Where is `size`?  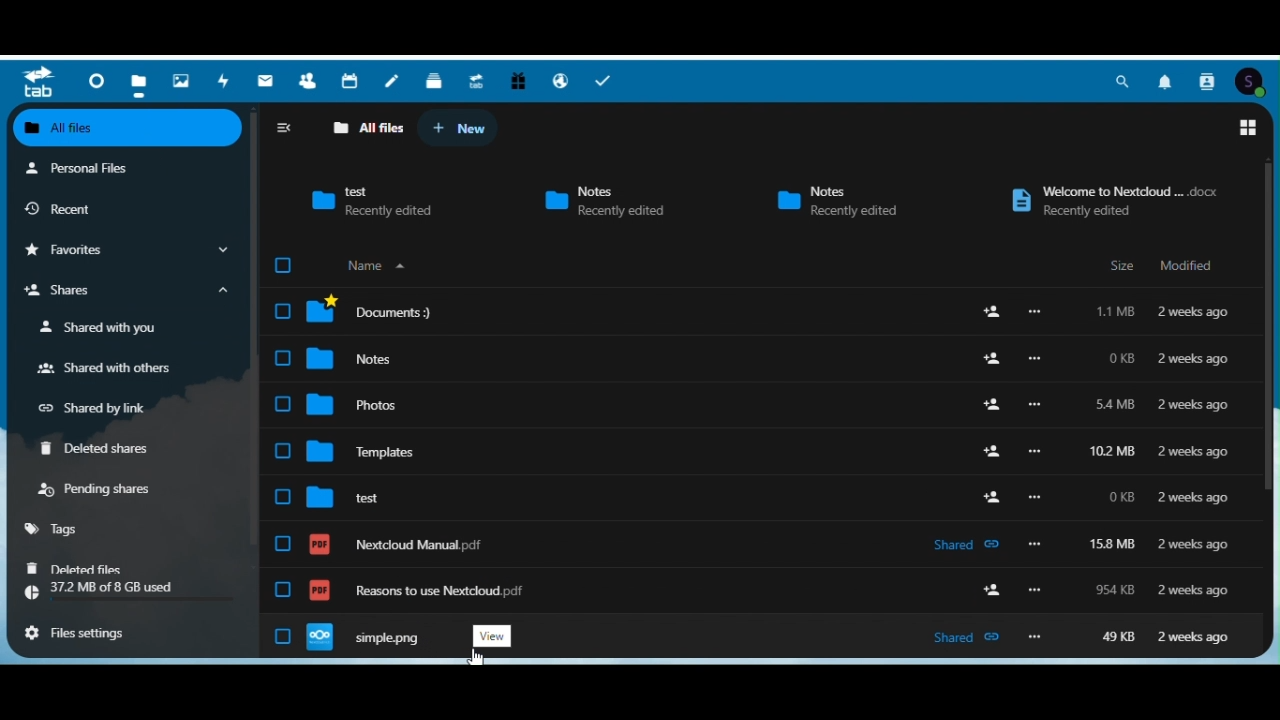 size is located at coordinates (1119, 637).